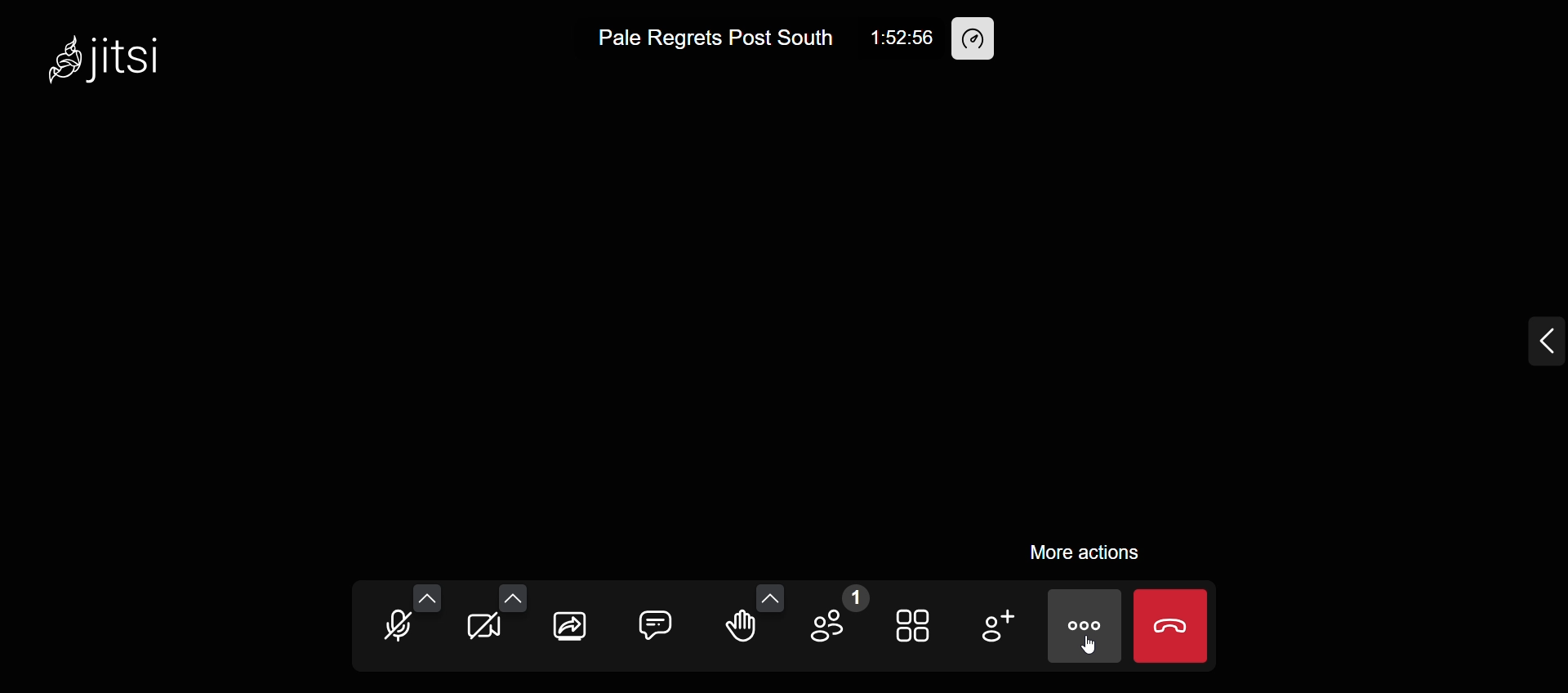 The height and width of the screenshot is (693, 1568). Describe the element at coordinates (996, 624) in the screenshot. I see `add participants` at that location.